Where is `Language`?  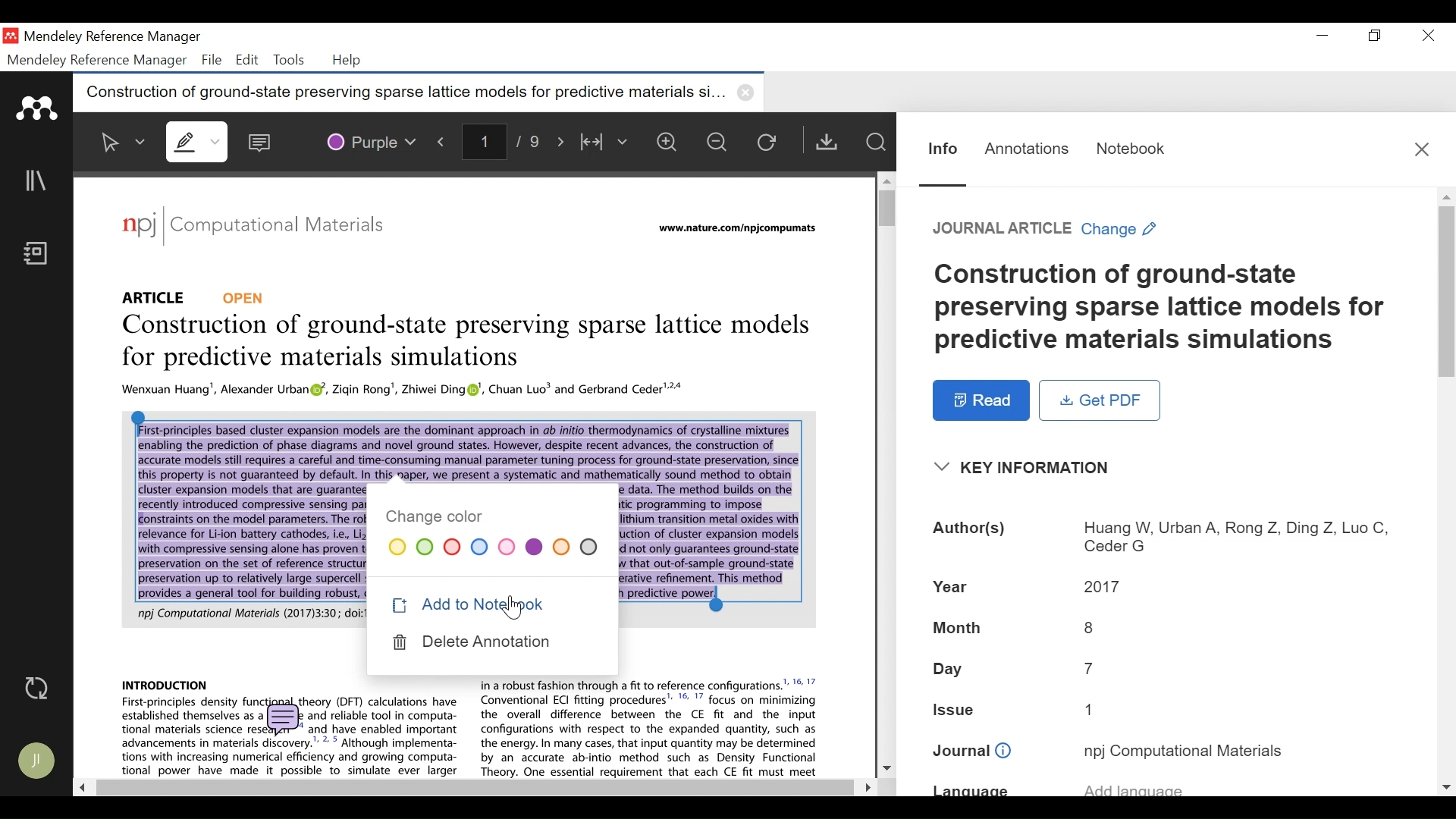
Language is located at coordinates (971, 790).